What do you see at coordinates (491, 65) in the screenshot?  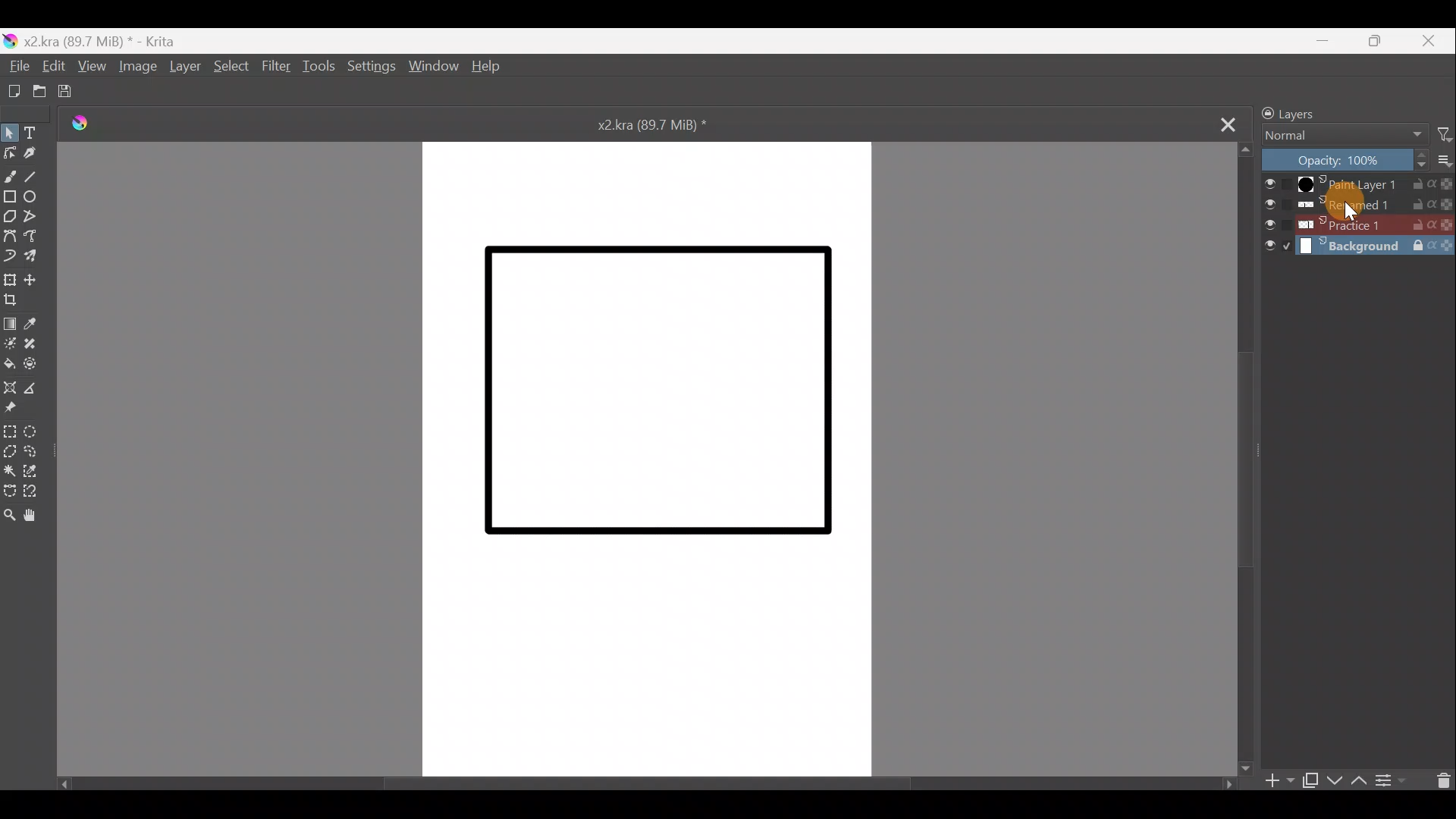 I see `Help` at bounding box center [491, 65].